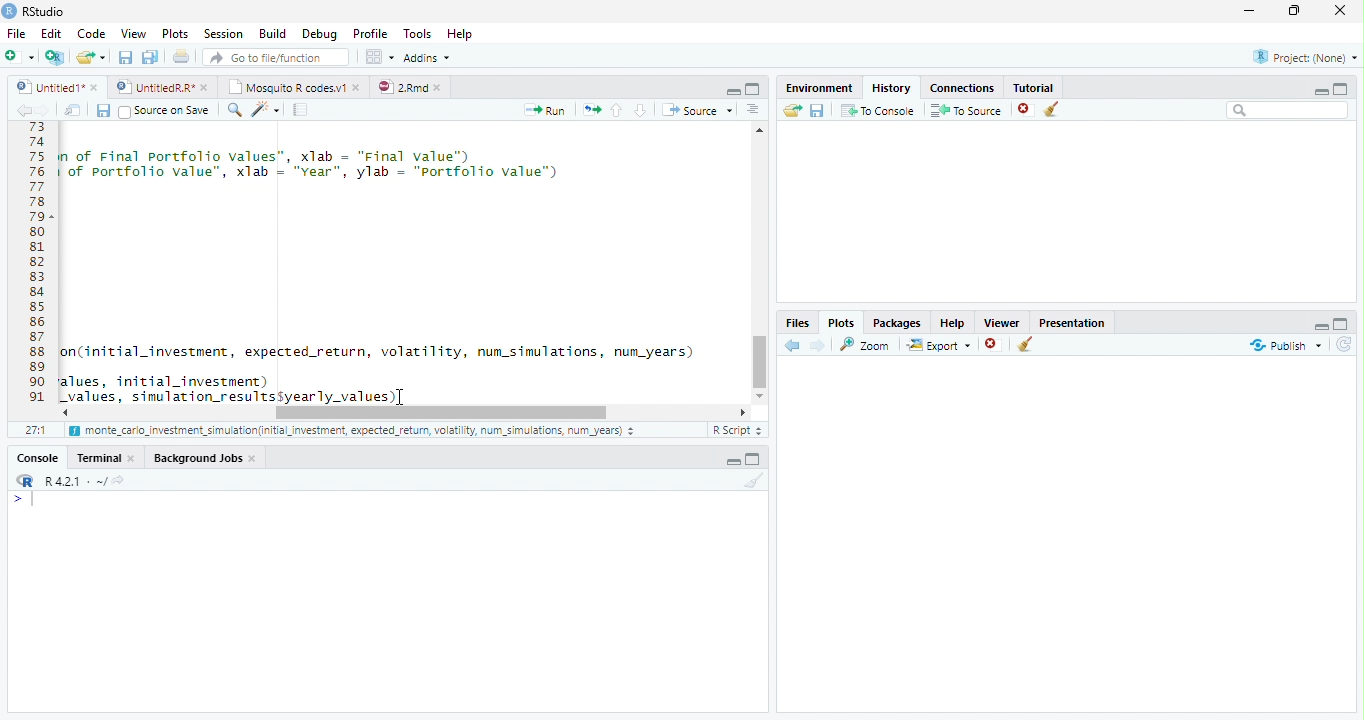 The image size is (1364, 720). What do you see at coordinates (266, 110) in the screenshot?
I see `Code Tools` at bounding box center [266, 110].